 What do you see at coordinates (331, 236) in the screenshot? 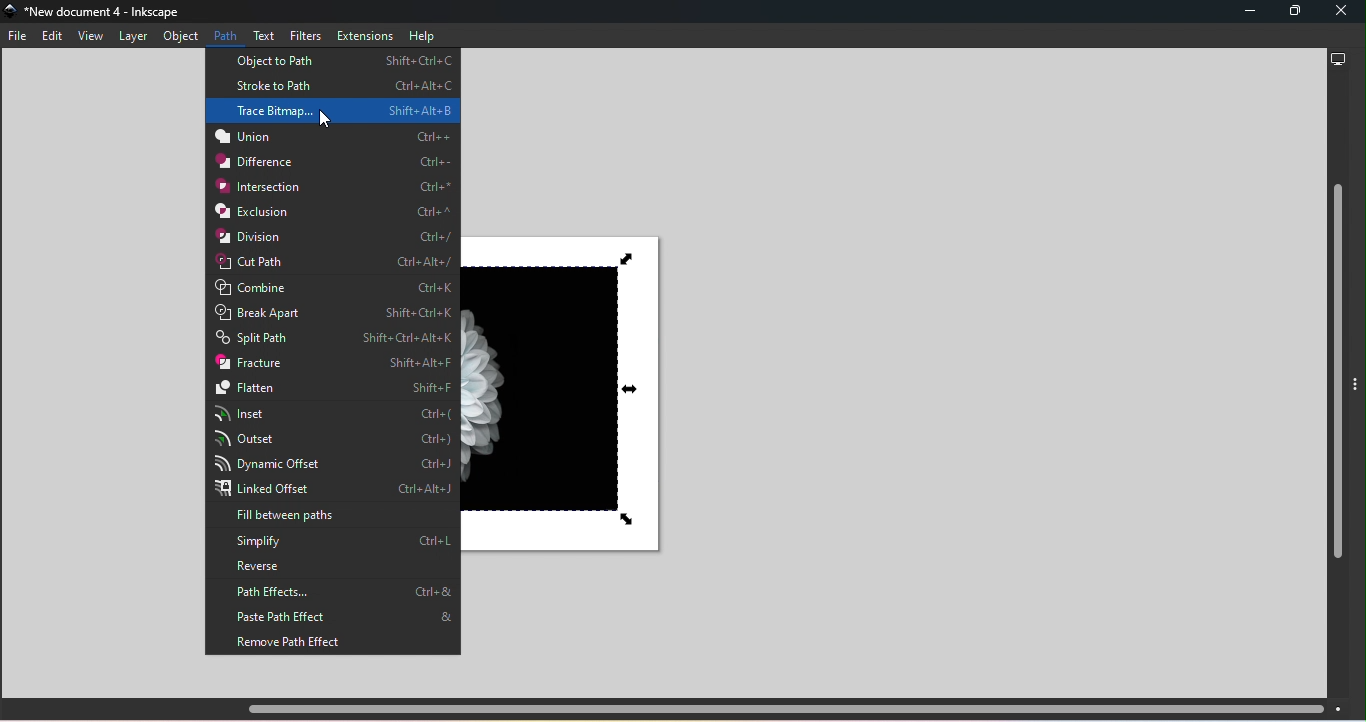
I see `Division` at bounding box center [331, 236].